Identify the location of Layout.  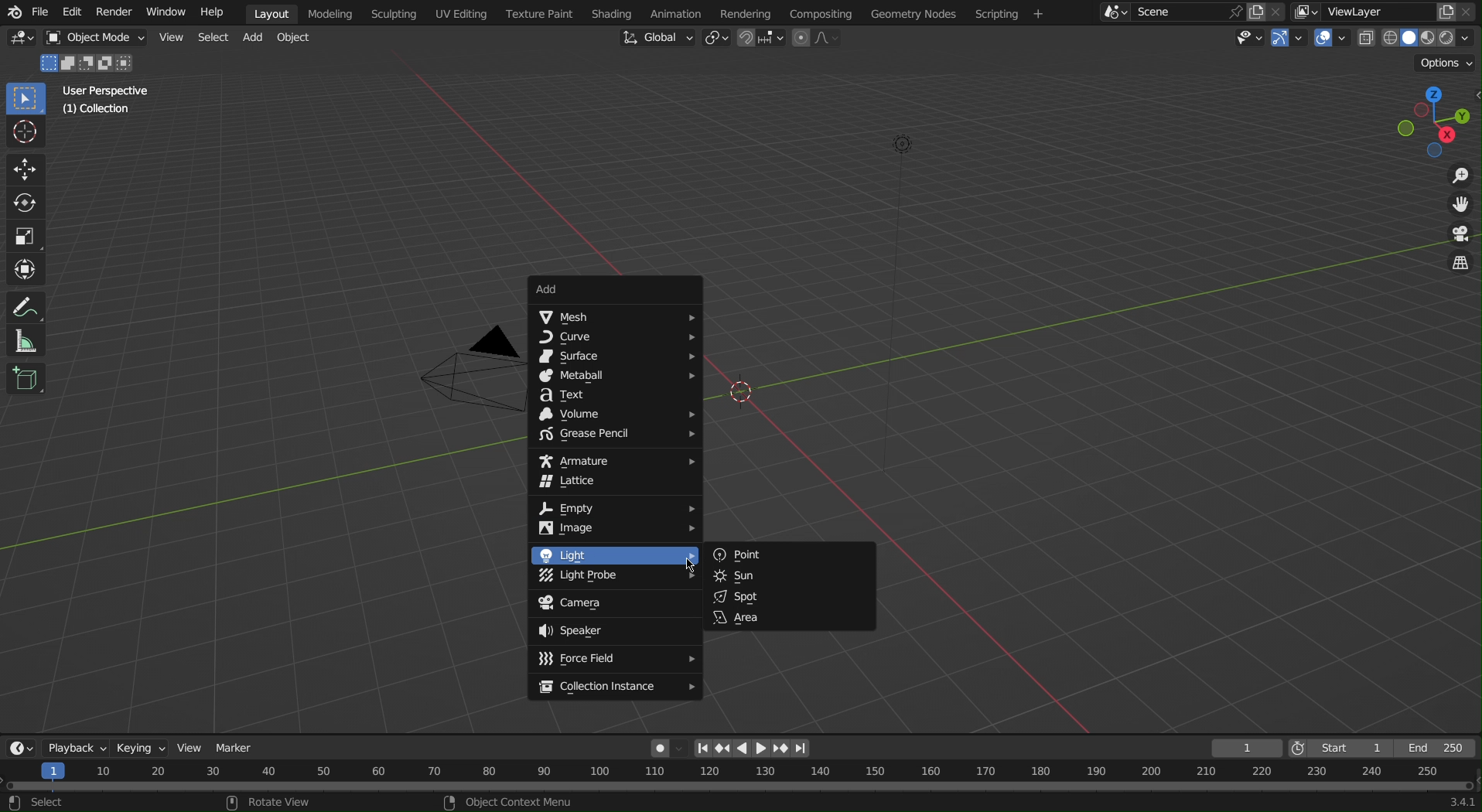
(271, 13).